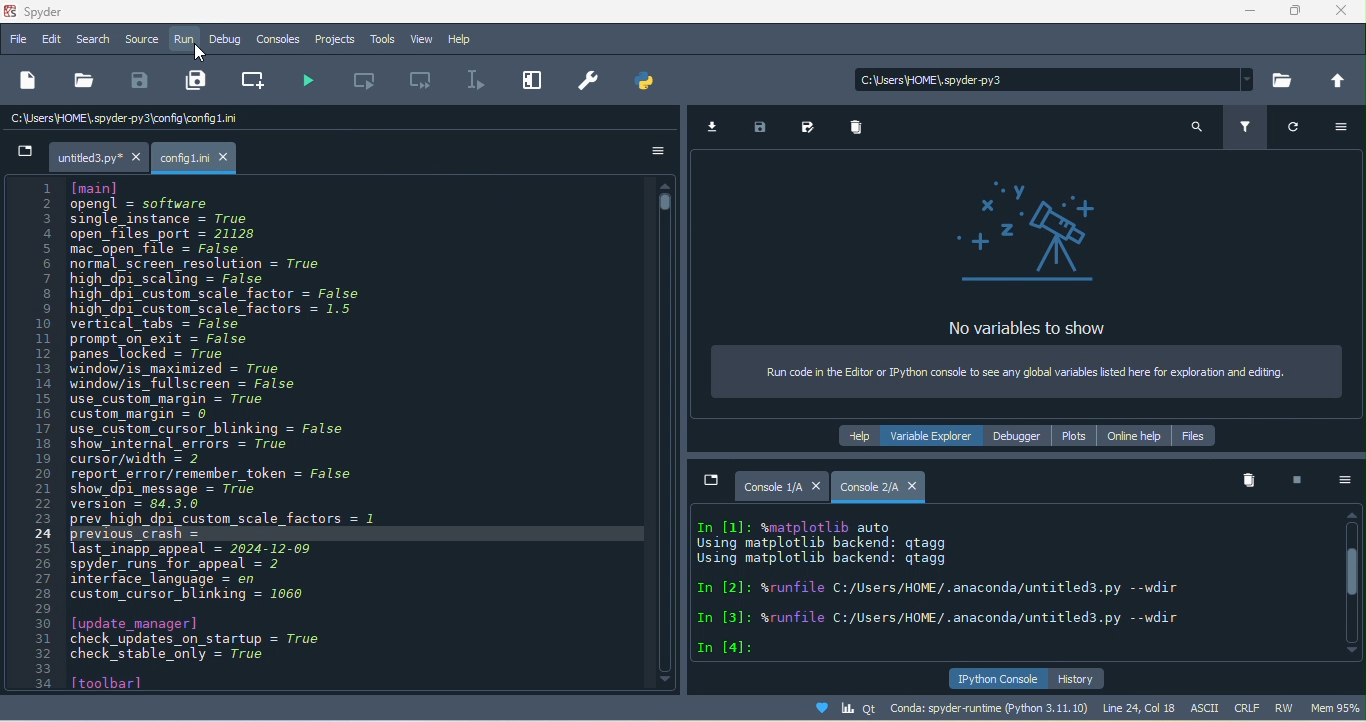 This screenshot has width=1366, height=722. I want to click on remove all, so click(1247, 482).